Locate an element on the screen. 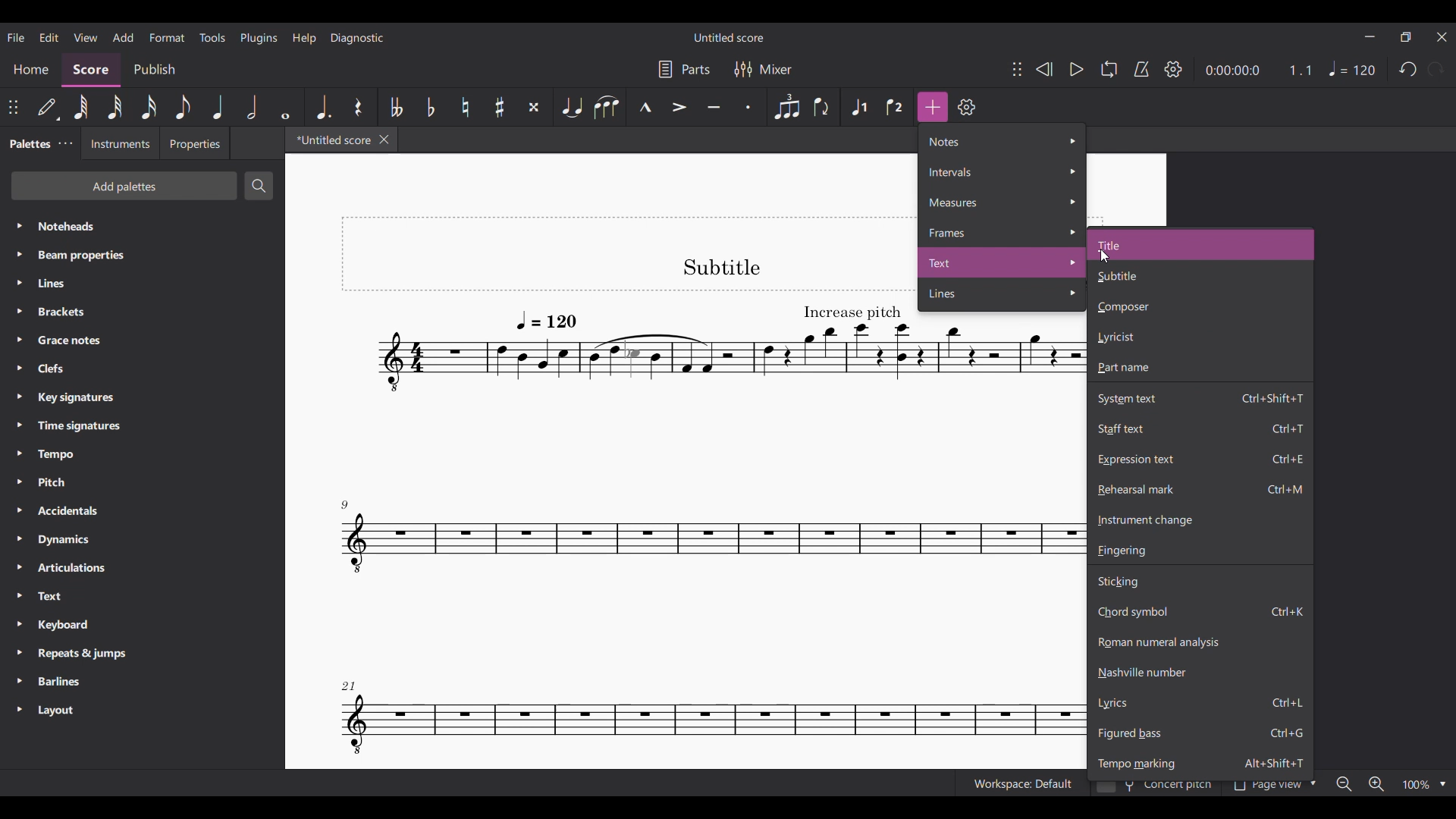  Slur is located at coordinates (607, 106).